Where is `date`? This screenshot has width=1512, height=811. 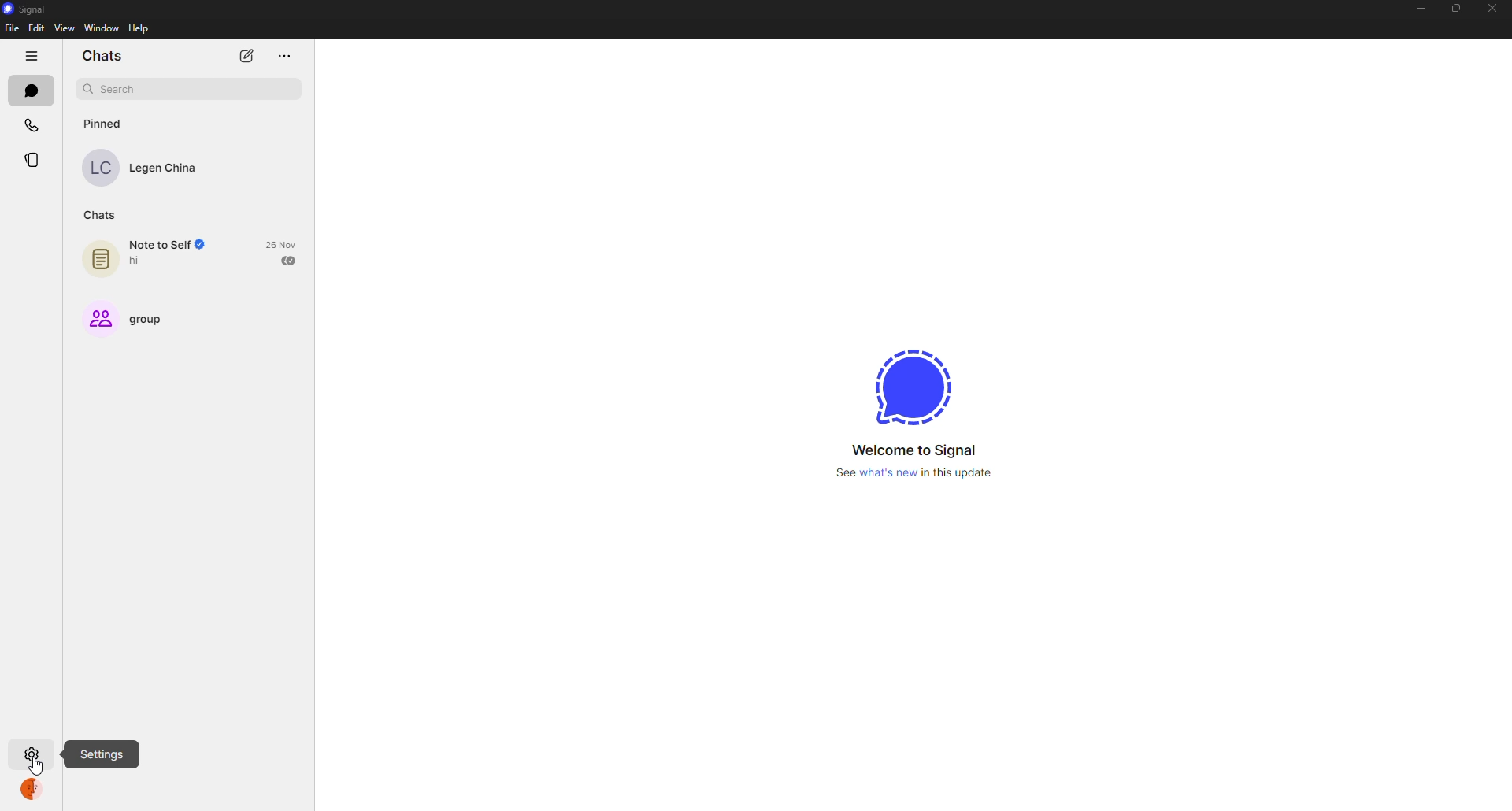 date is located at coordinates (280, 244).